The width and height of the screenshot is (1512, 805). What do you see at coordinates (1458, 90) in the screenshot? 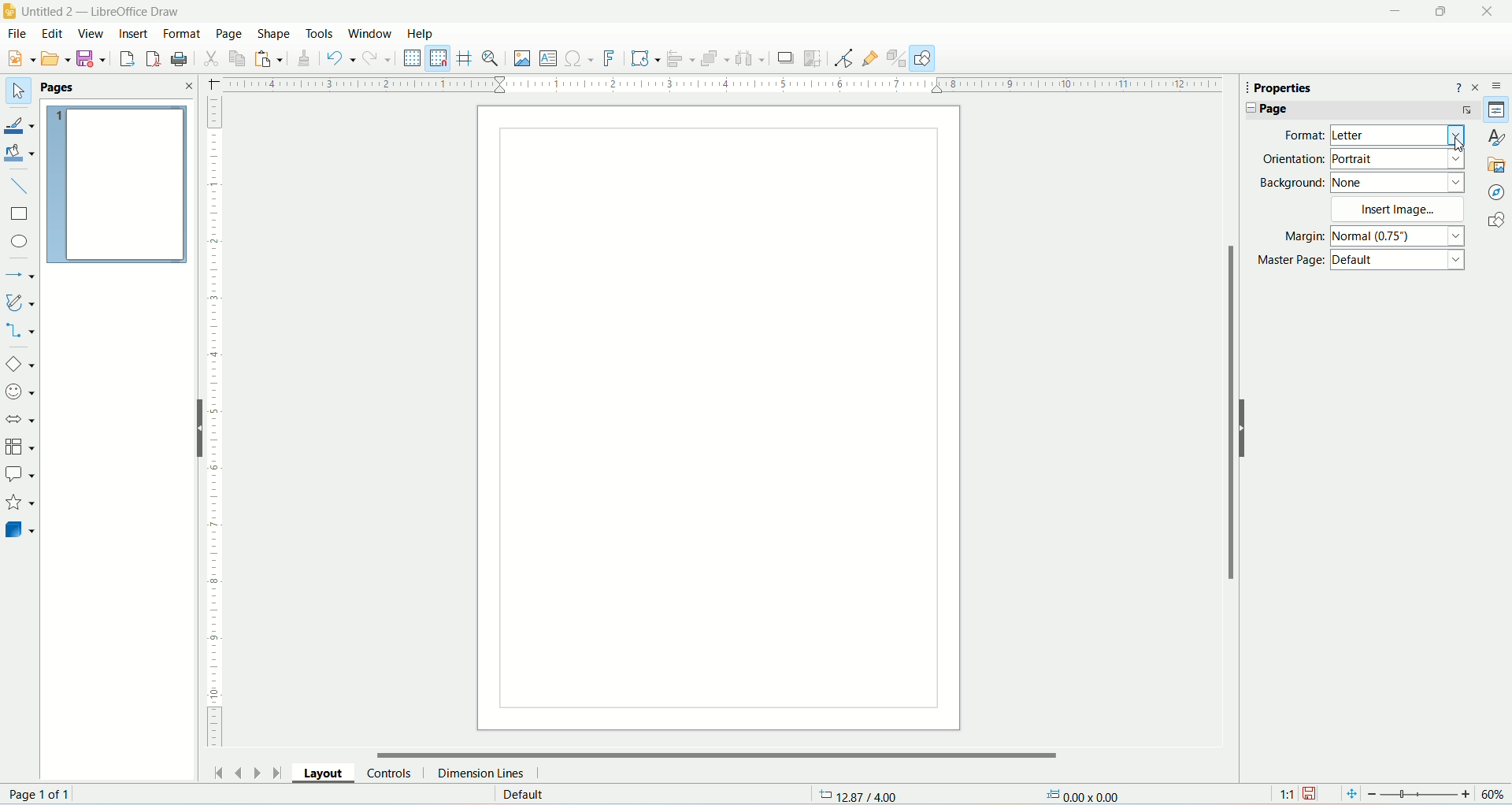
I see `help` at bounding box center [1458, 90].